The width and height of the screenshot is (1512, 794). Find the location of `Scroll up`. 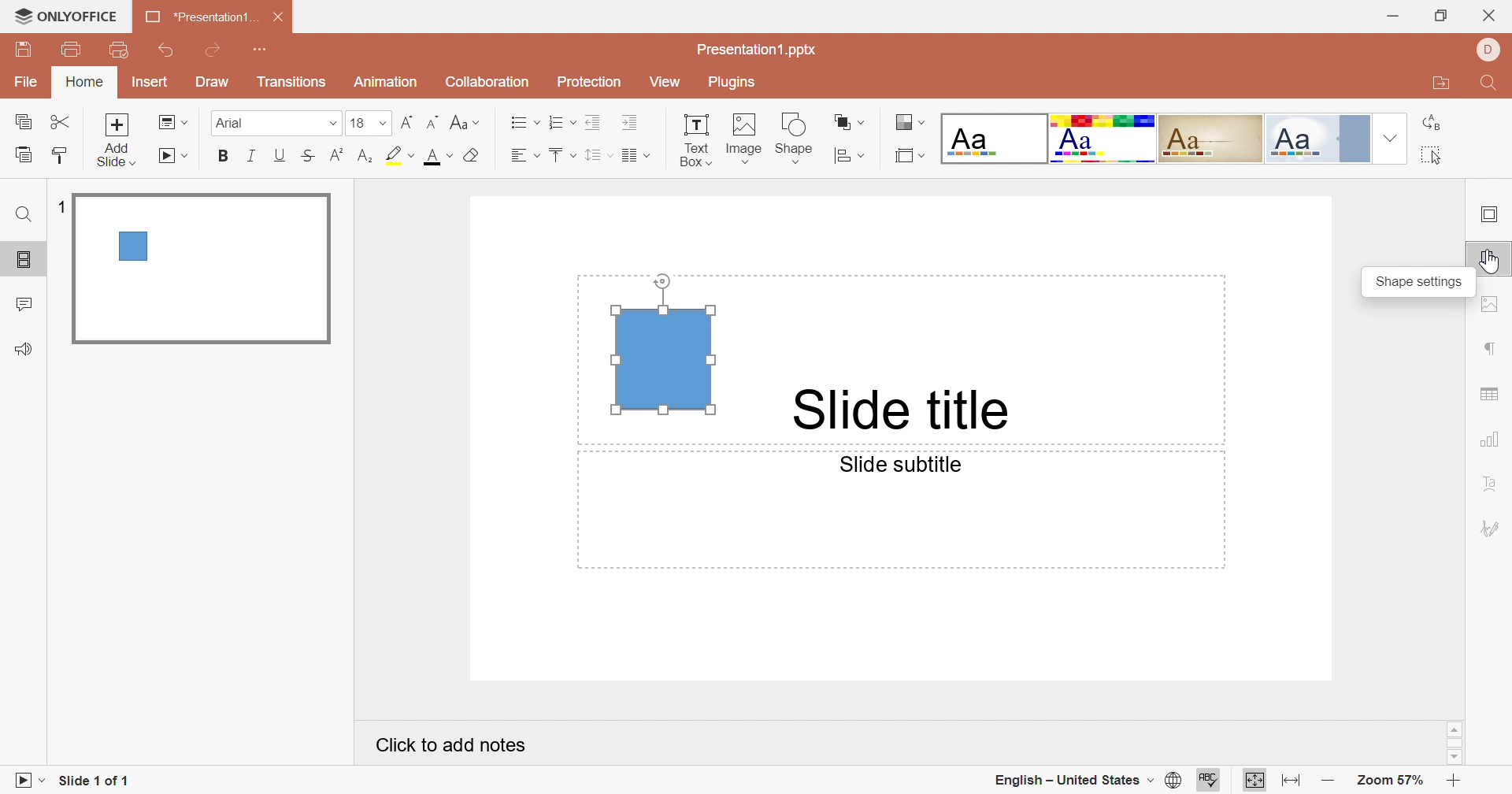

Scroll up is located at coordinates (1455, 730).